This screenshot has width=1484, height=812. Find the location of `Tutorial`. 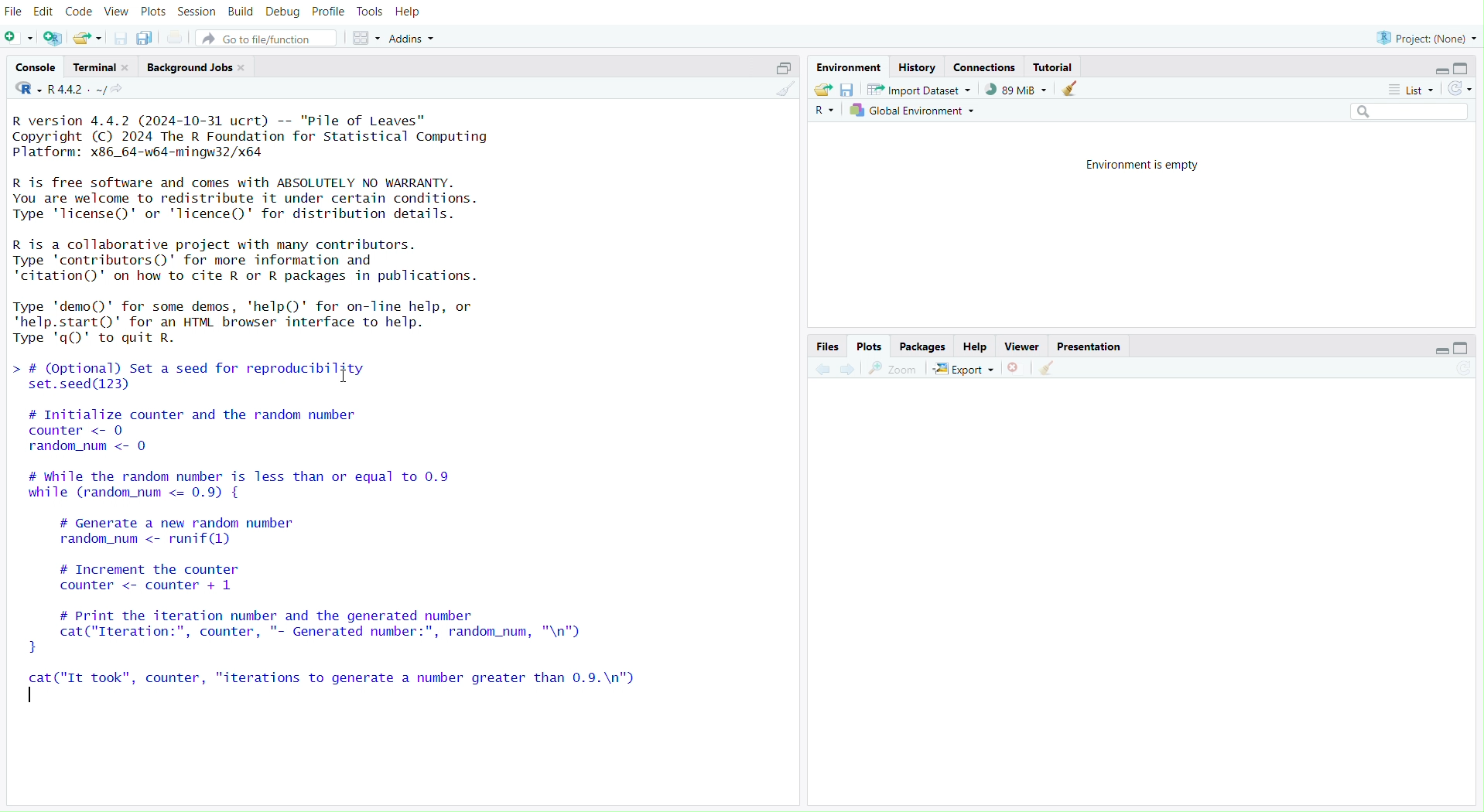

Tutorial is located at coordinates (1055, 67).